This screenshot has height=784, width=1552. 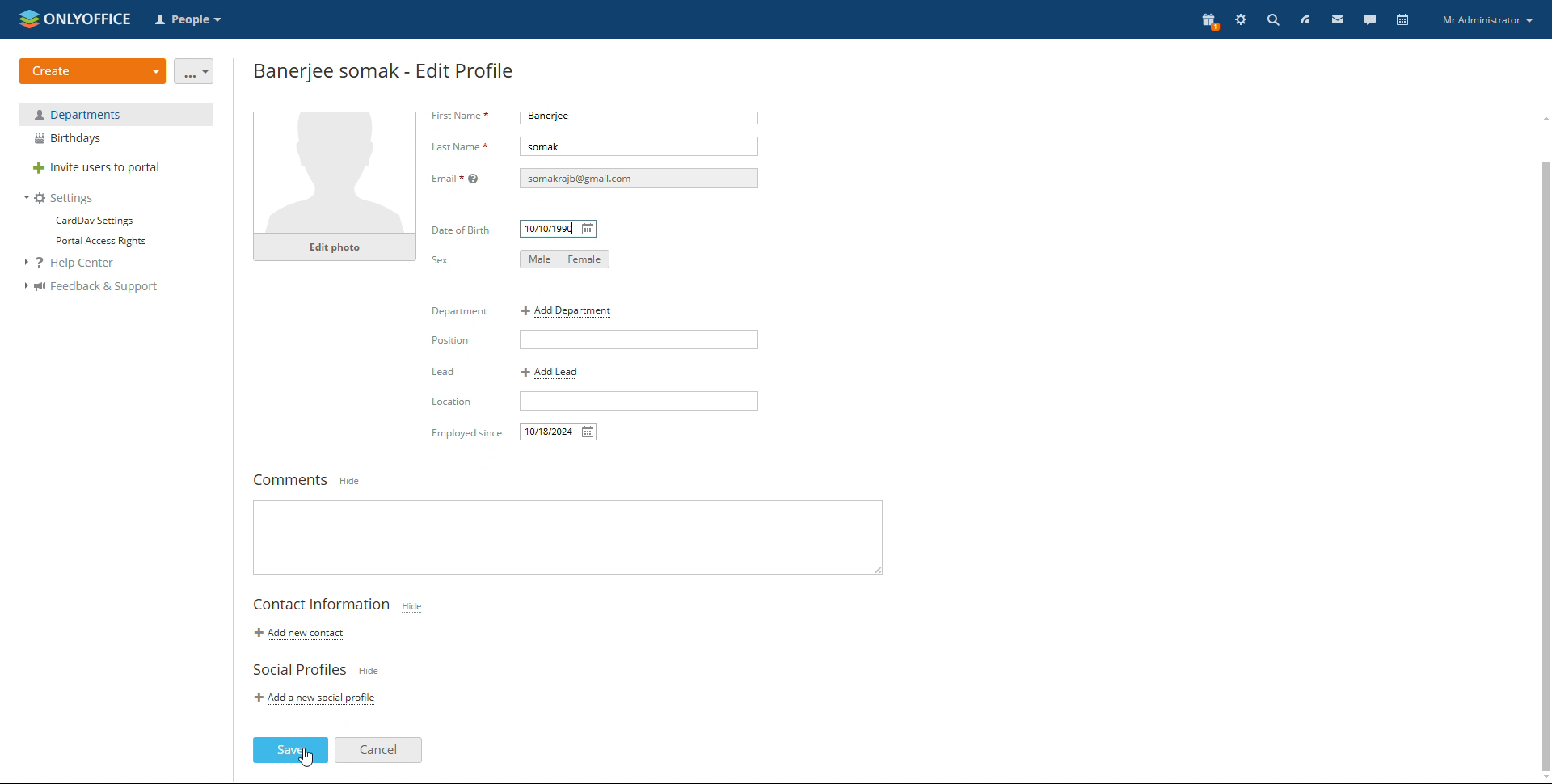 I want to click on resize, so click(x=873, y=564).